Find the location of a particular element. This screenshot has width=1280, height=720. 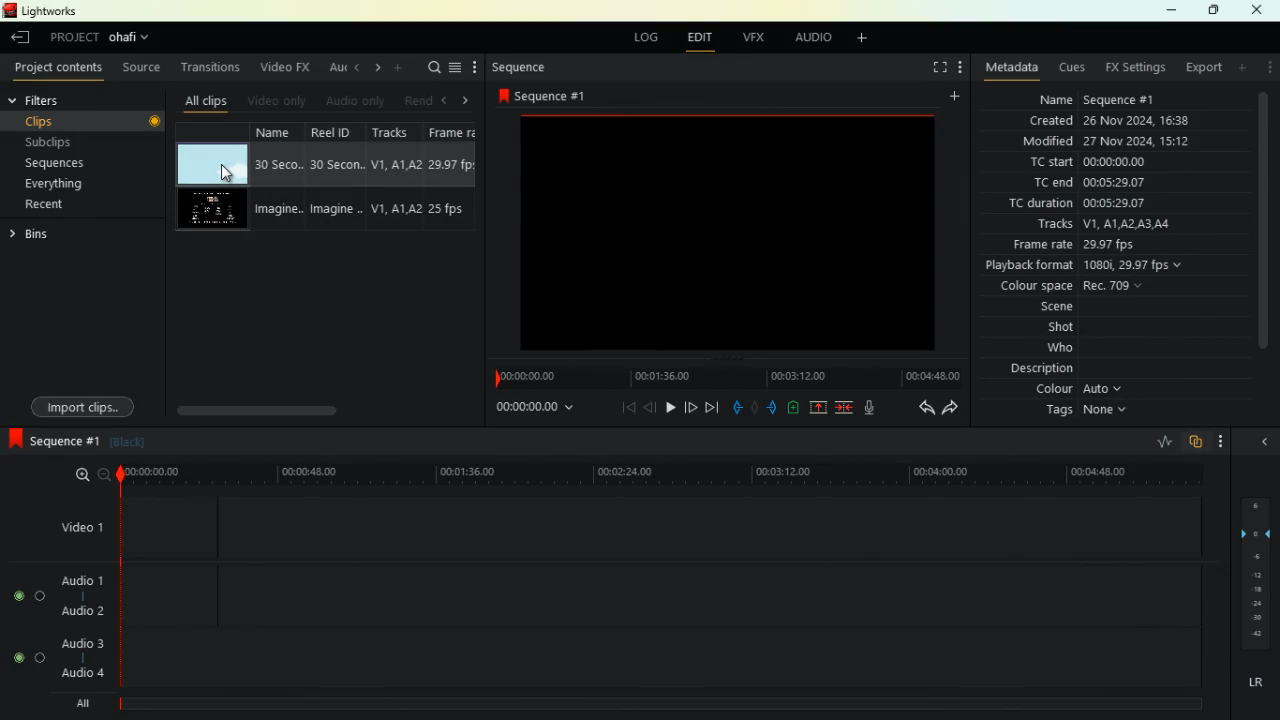

more is located at coordinates (472, 64).